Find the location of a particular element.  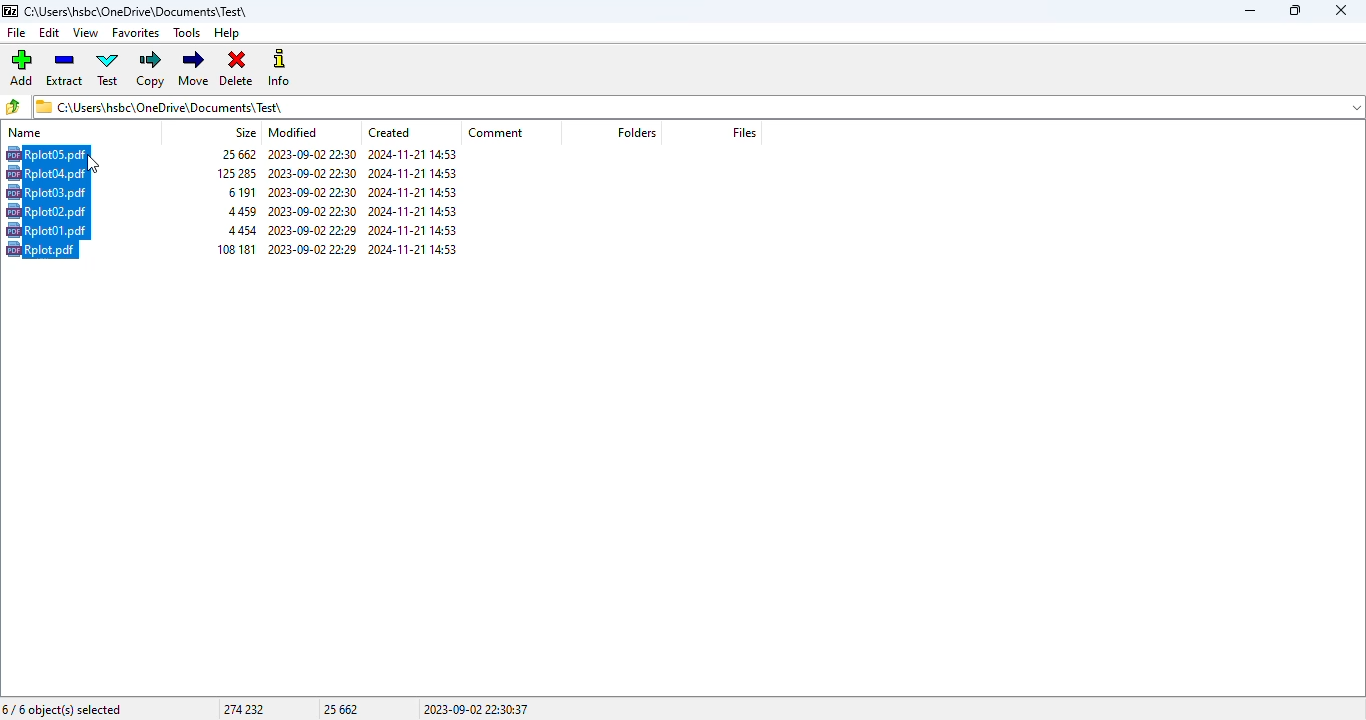

folders is located at coordinates (636, 133).